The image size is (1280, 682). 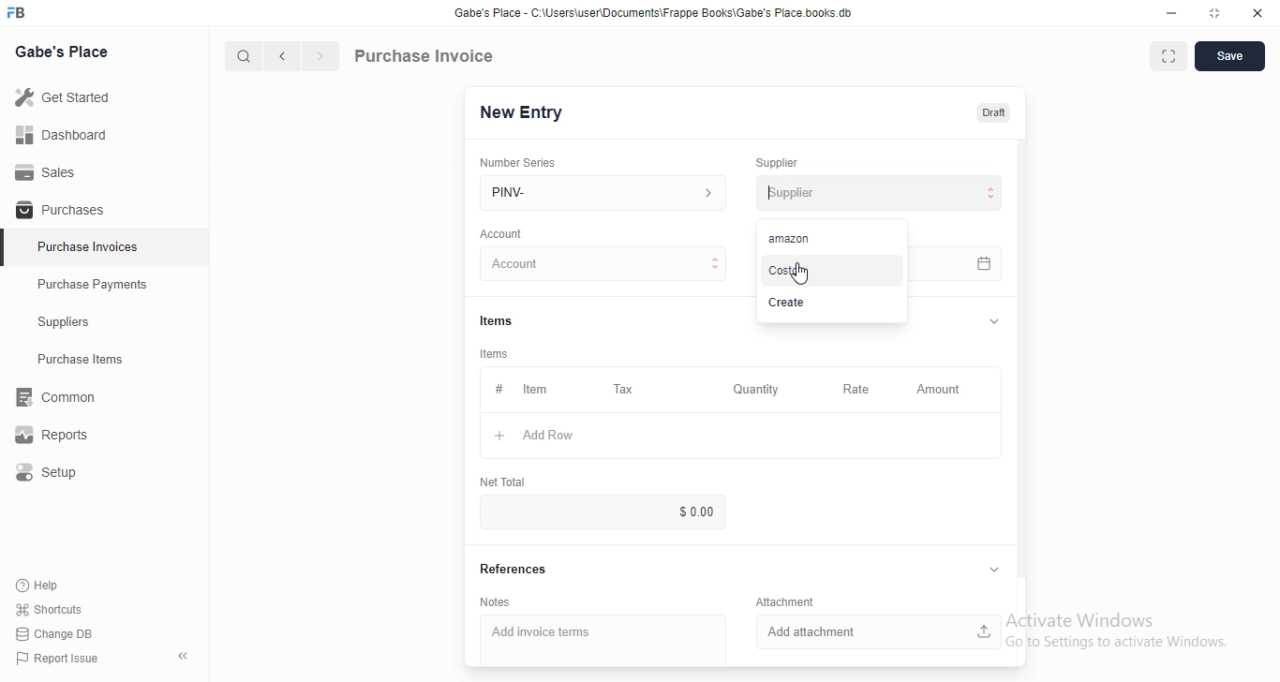 What do you see at coordinates (495, 602) in the screenshot?
I see `Notes` at bounding box center [495, 602].